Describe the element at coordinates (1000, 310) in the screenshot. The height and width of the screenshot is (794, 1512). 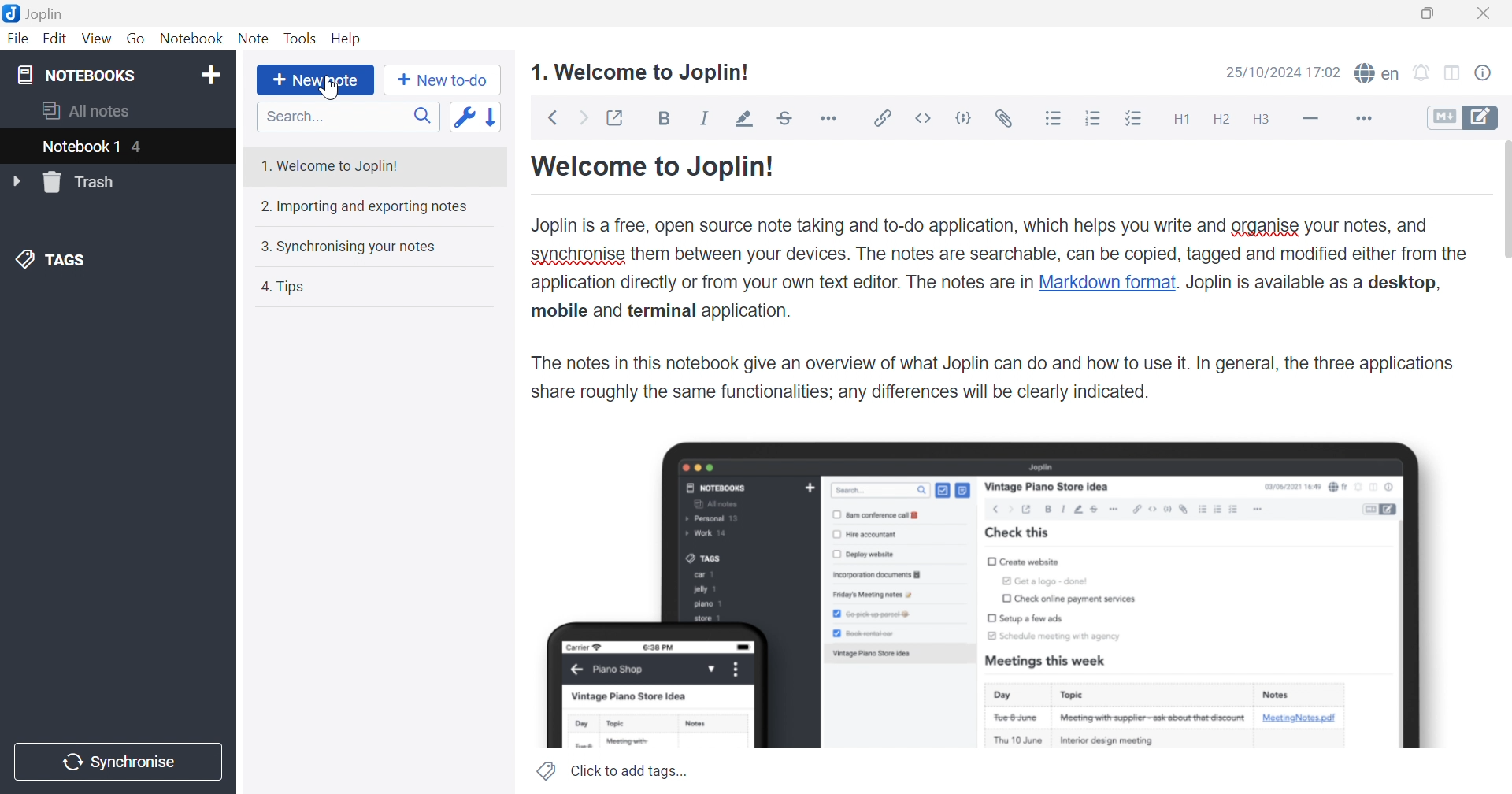
I see `About Joplin` at that location.